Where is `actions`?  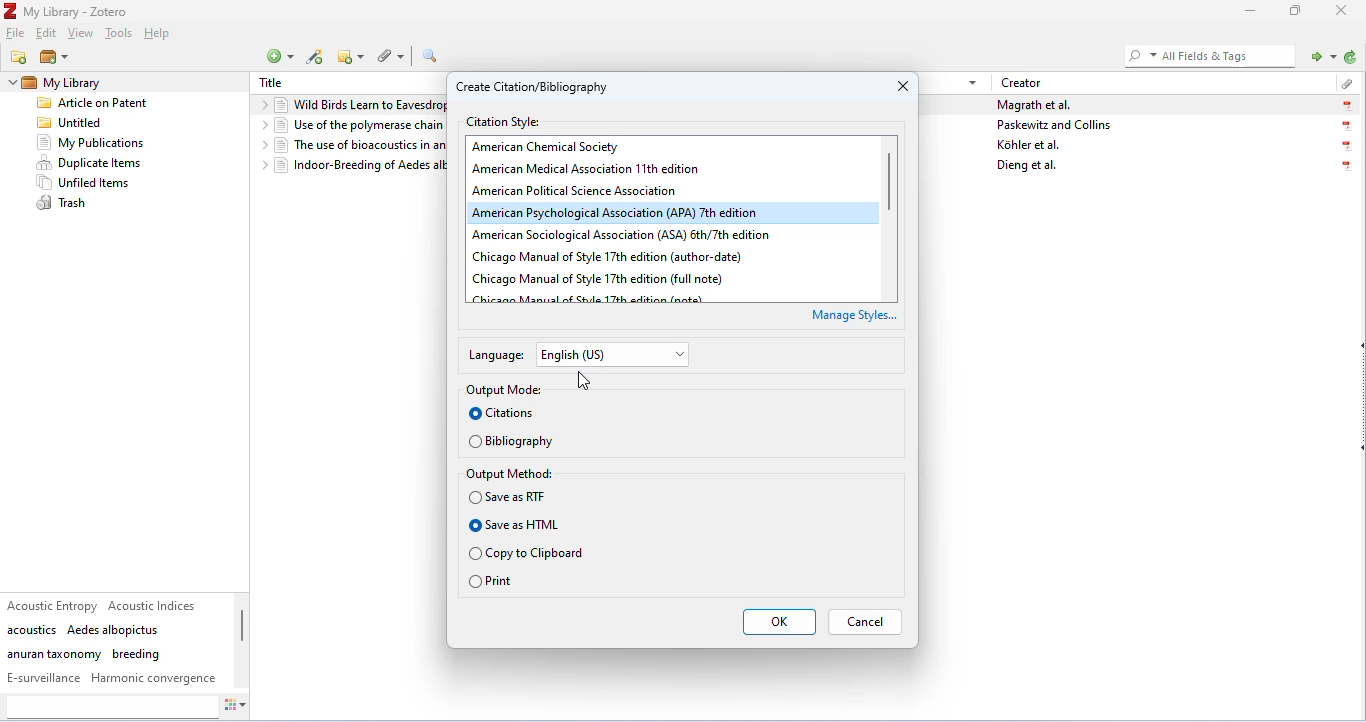
actions is located at coordinates (244, 707).